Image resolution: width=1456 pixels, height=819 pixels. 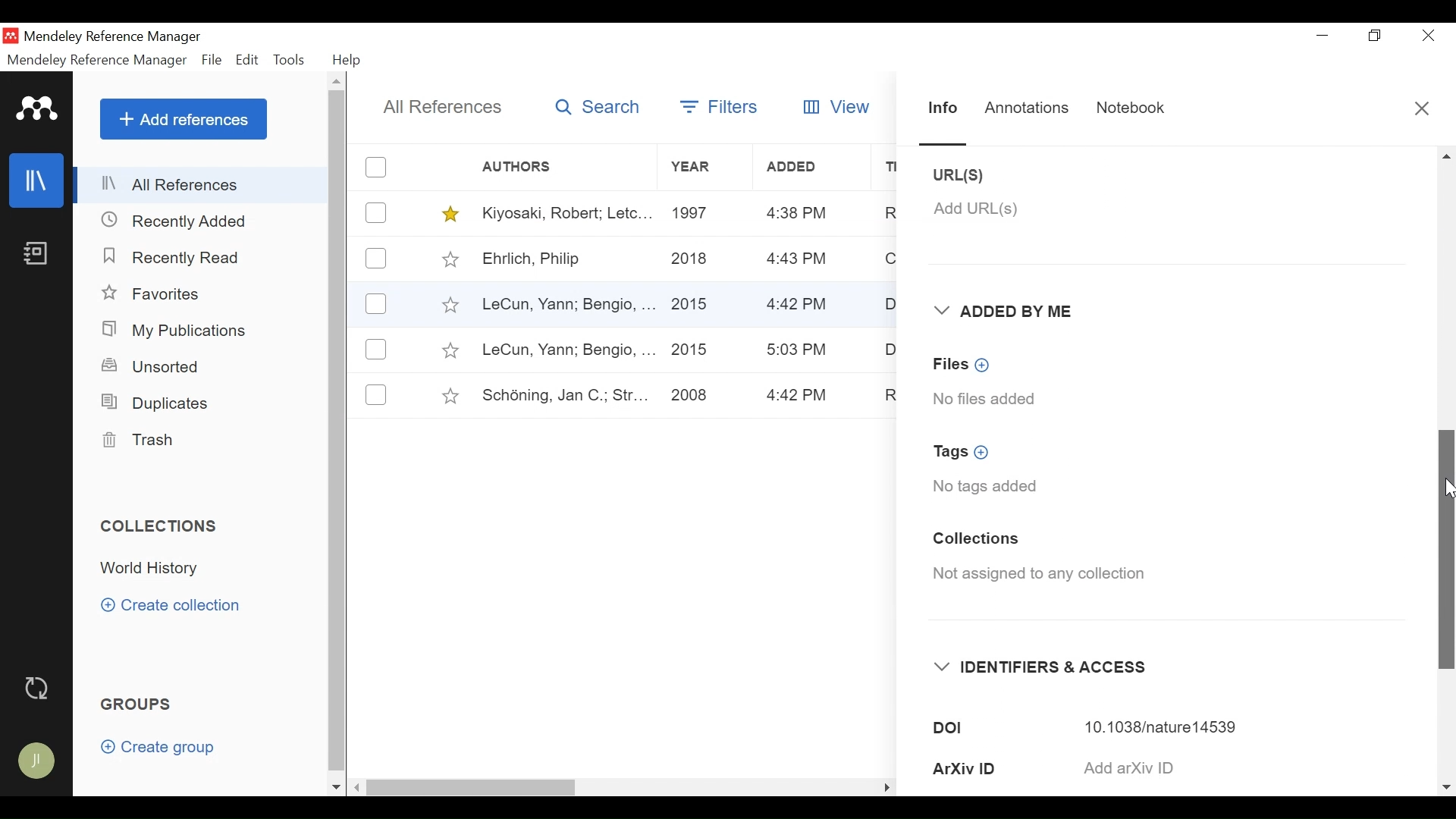 I want to click on URL(S), so click(x=973, y=175).